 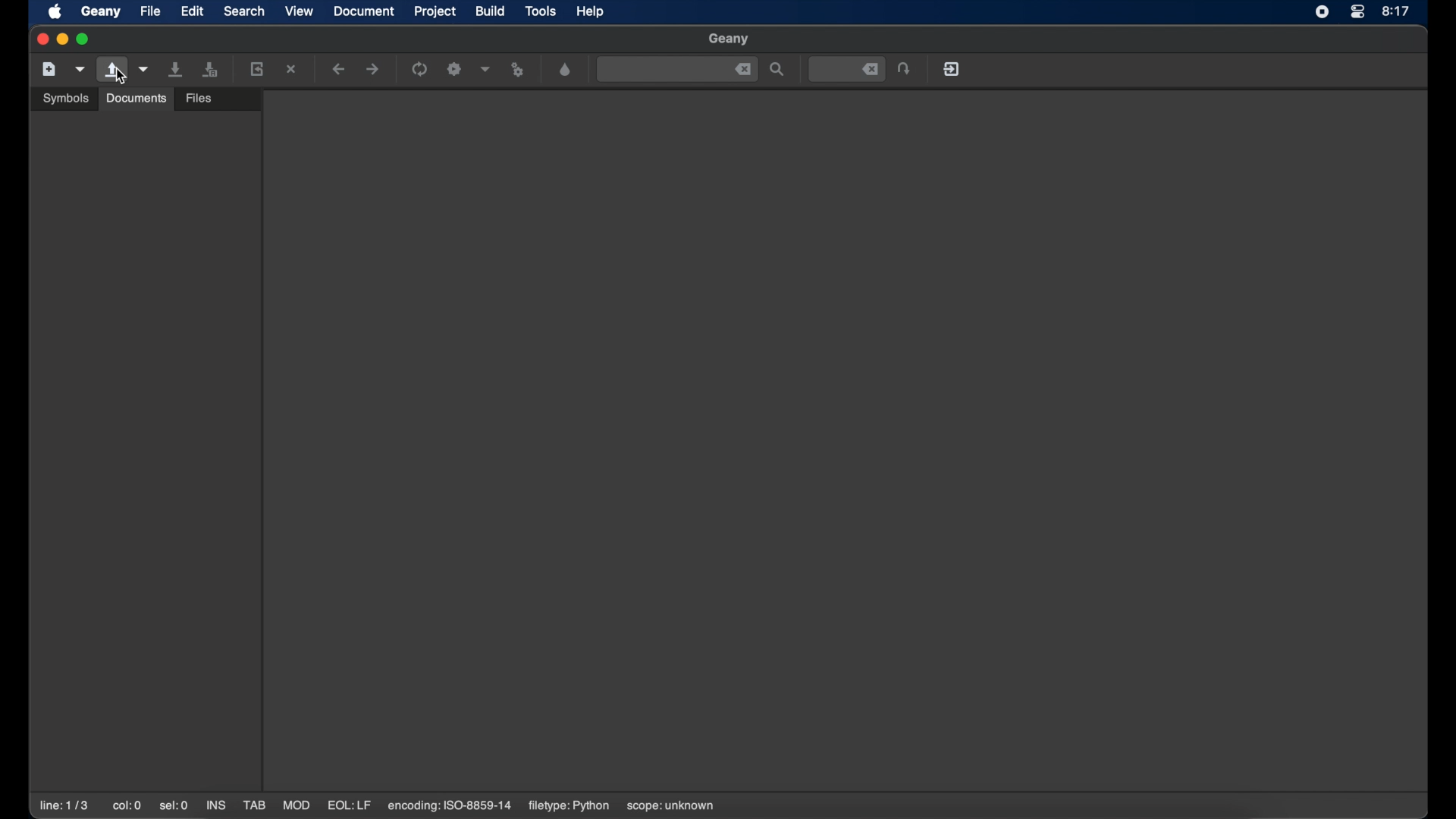 I want to click on geany, so click(x=101, y=11).